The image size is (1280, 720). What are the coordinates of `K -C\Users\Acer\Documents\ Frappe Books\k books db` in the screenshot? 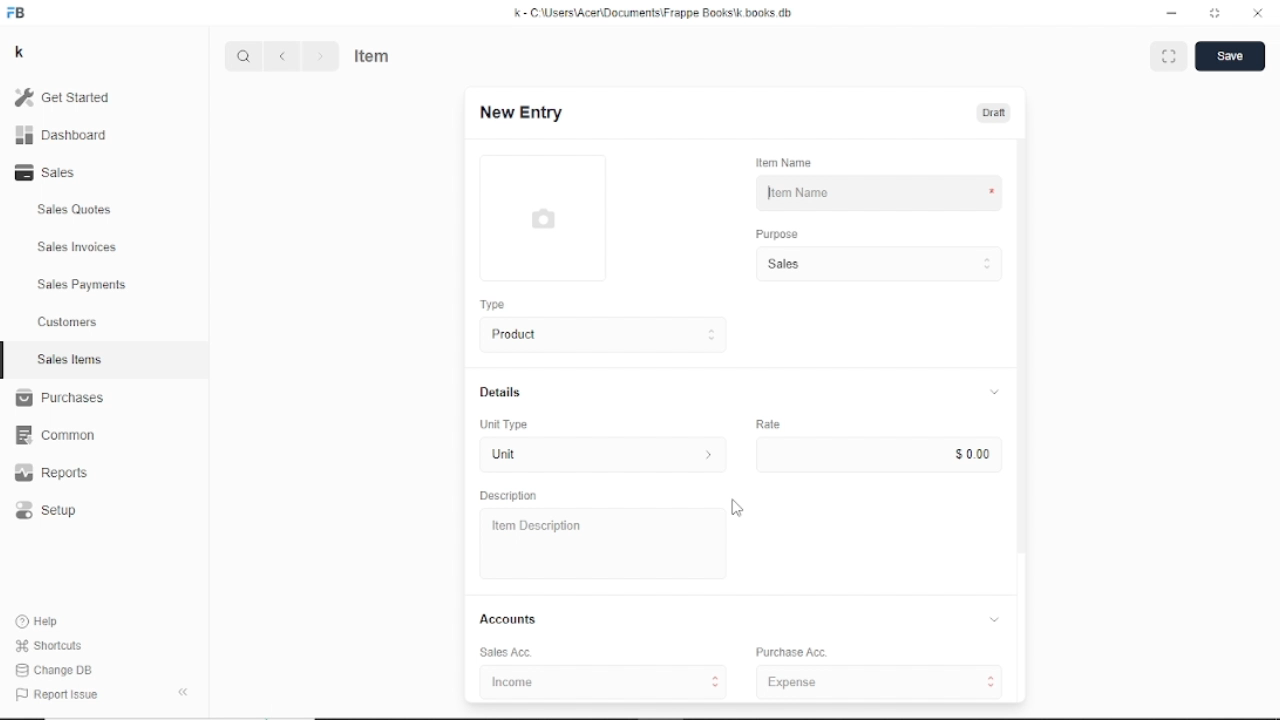 It's located at (657, 13).